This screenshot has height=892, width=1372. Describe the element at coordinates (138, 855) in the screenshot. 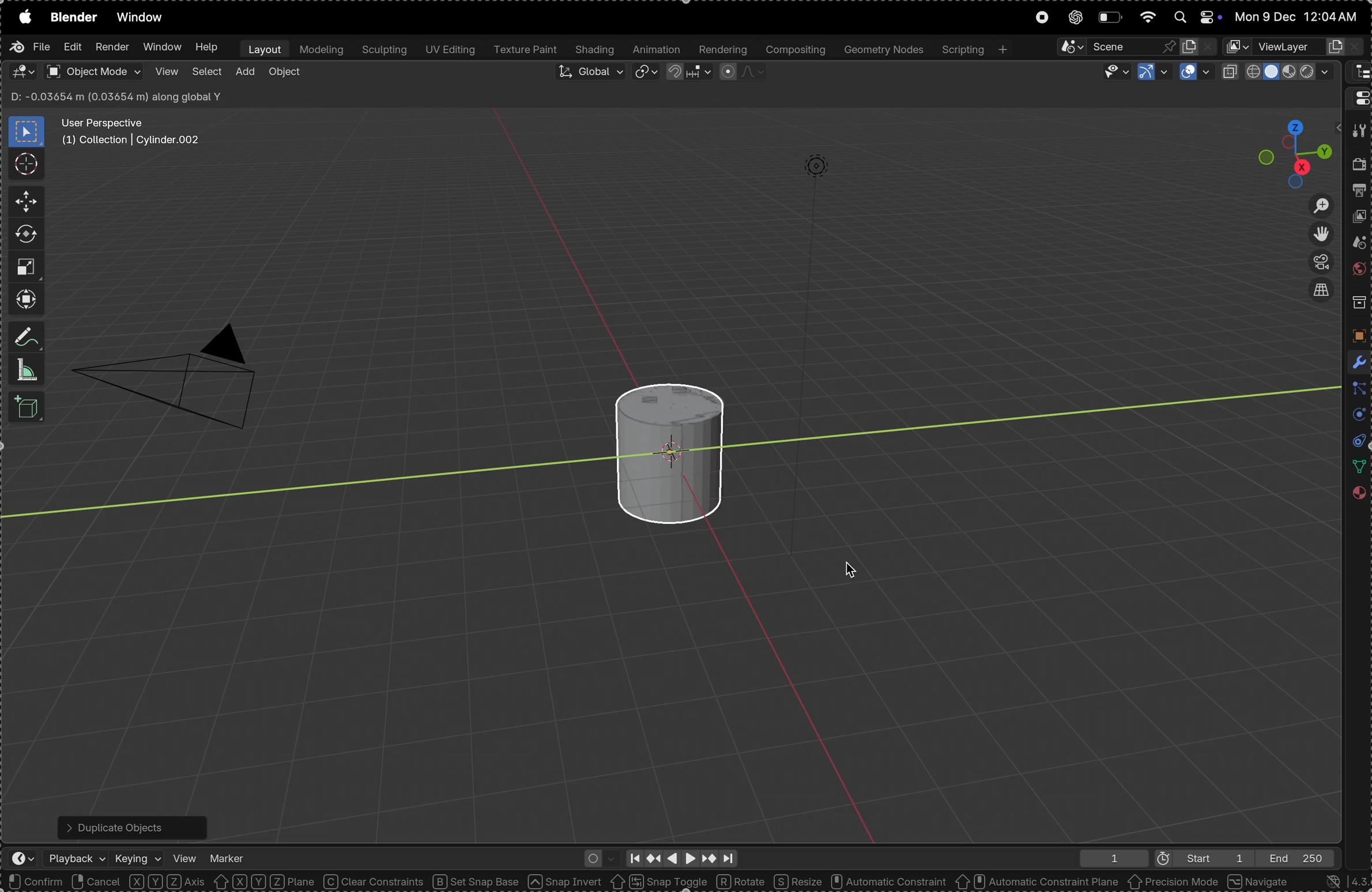

I see `keying` at that location.